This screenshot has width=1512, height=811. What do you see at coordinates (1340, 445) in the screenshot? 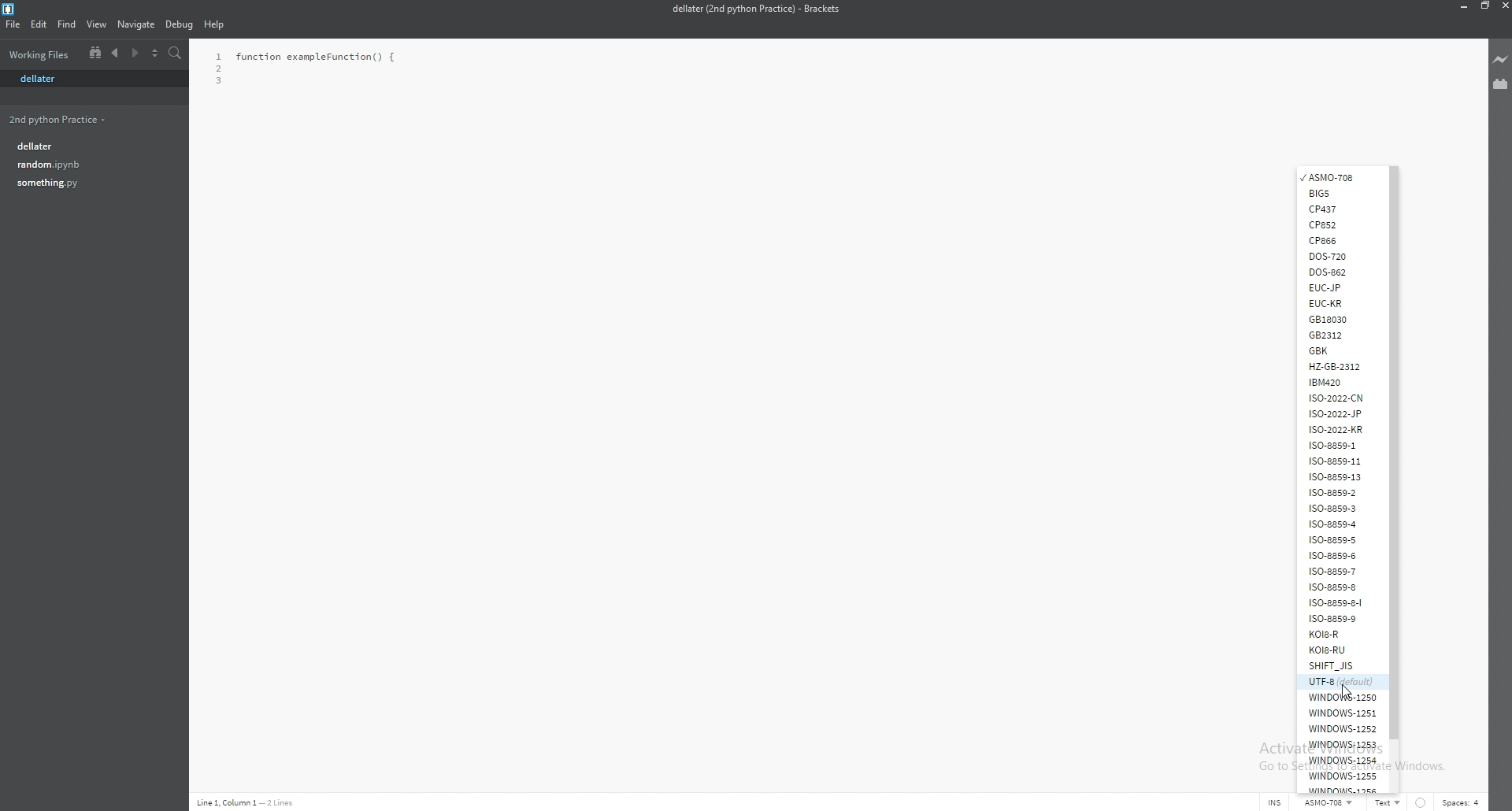
I see `iso-8859-1` at bounding box center [1340, 445].